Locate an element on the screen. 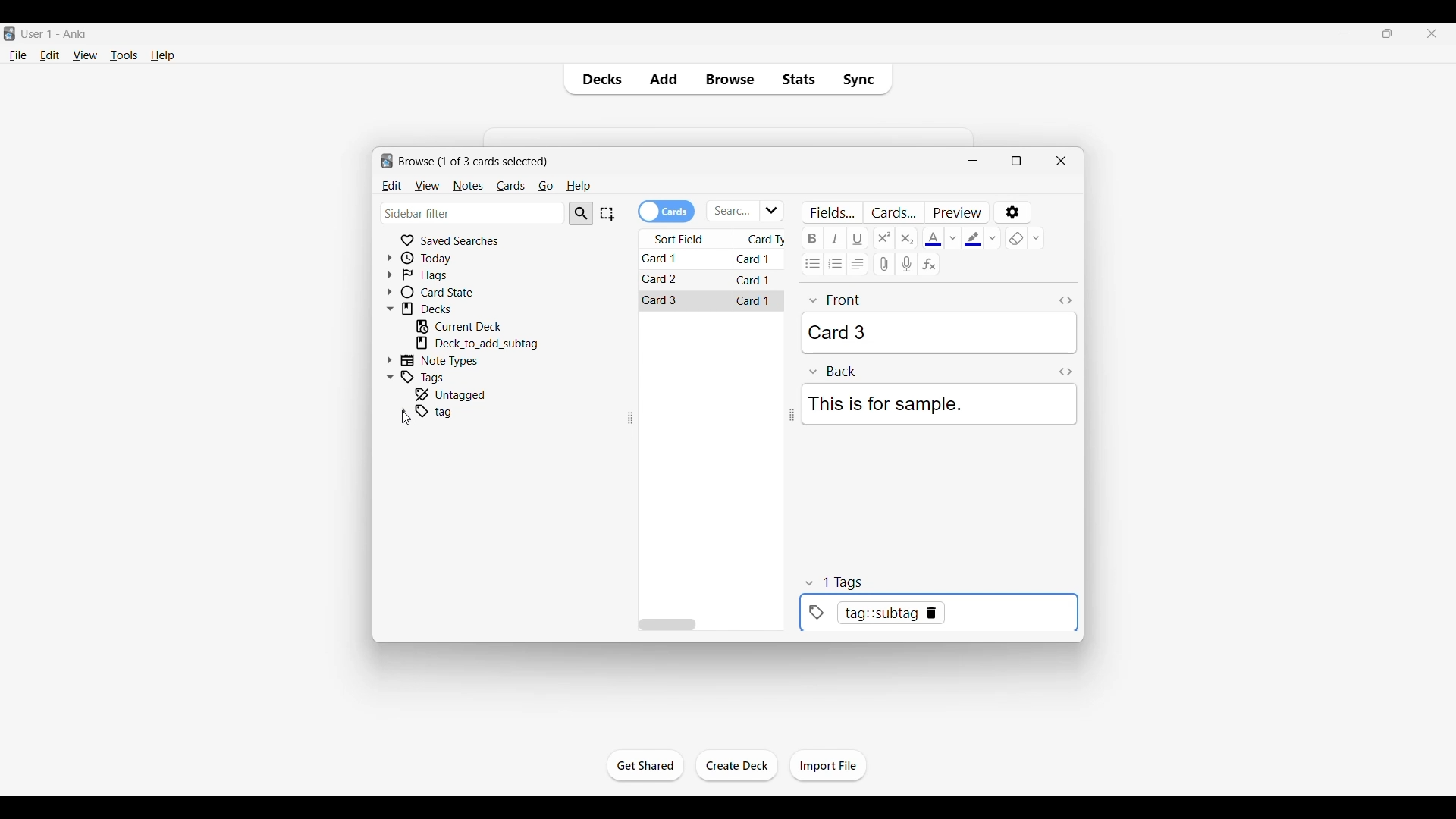  Show interface in a smaller tab is located at coordinates (1387, 33).